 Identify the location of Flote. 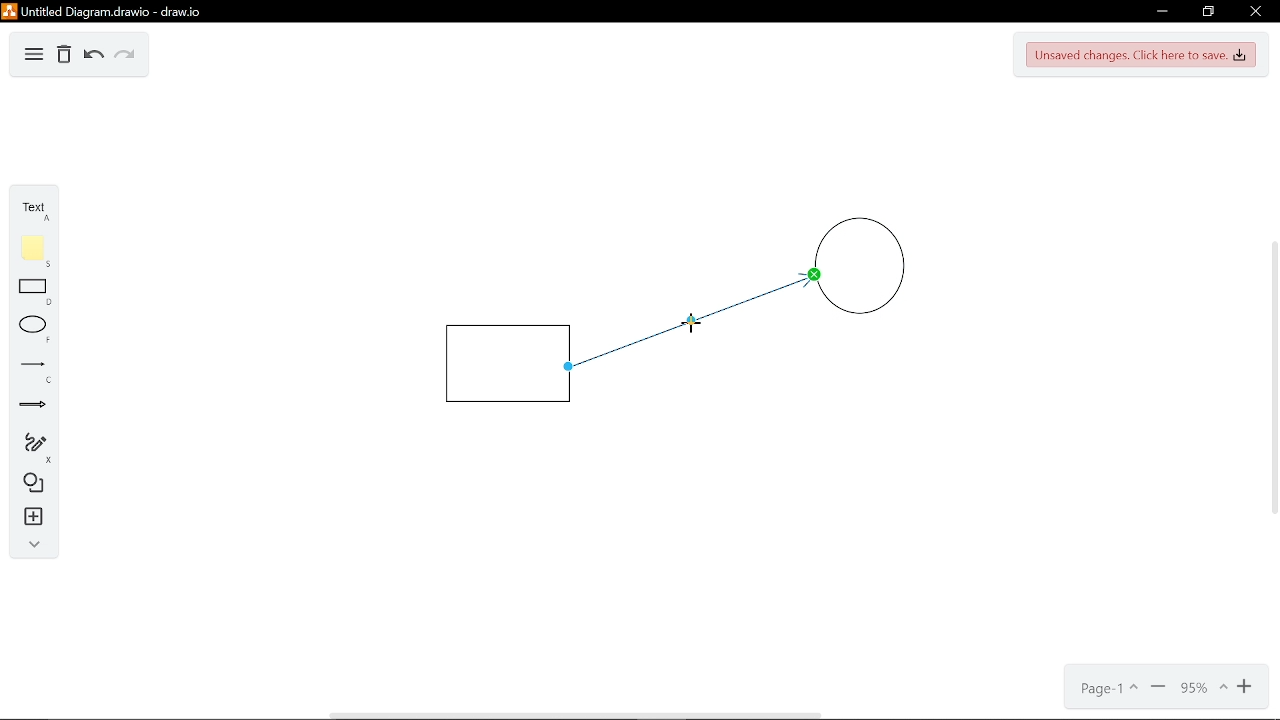
(30, 251).